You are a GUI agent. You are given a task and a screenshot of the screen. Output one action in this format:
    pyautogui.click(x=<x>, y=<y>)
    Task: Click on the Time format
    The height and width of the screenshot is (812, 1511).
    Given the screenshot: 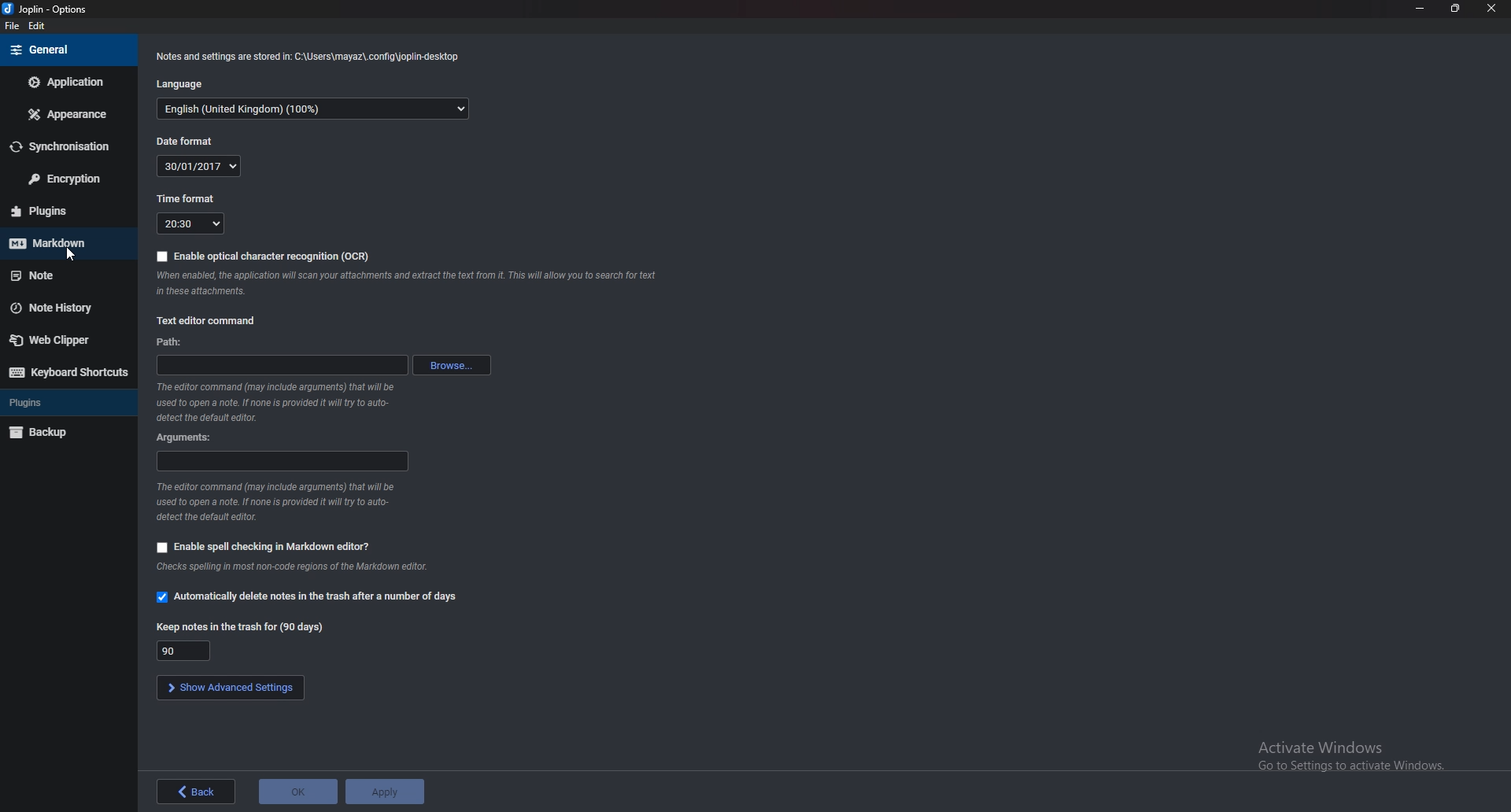 What is the action you would take?
    pyautogui.click(x=190, y=222)
    